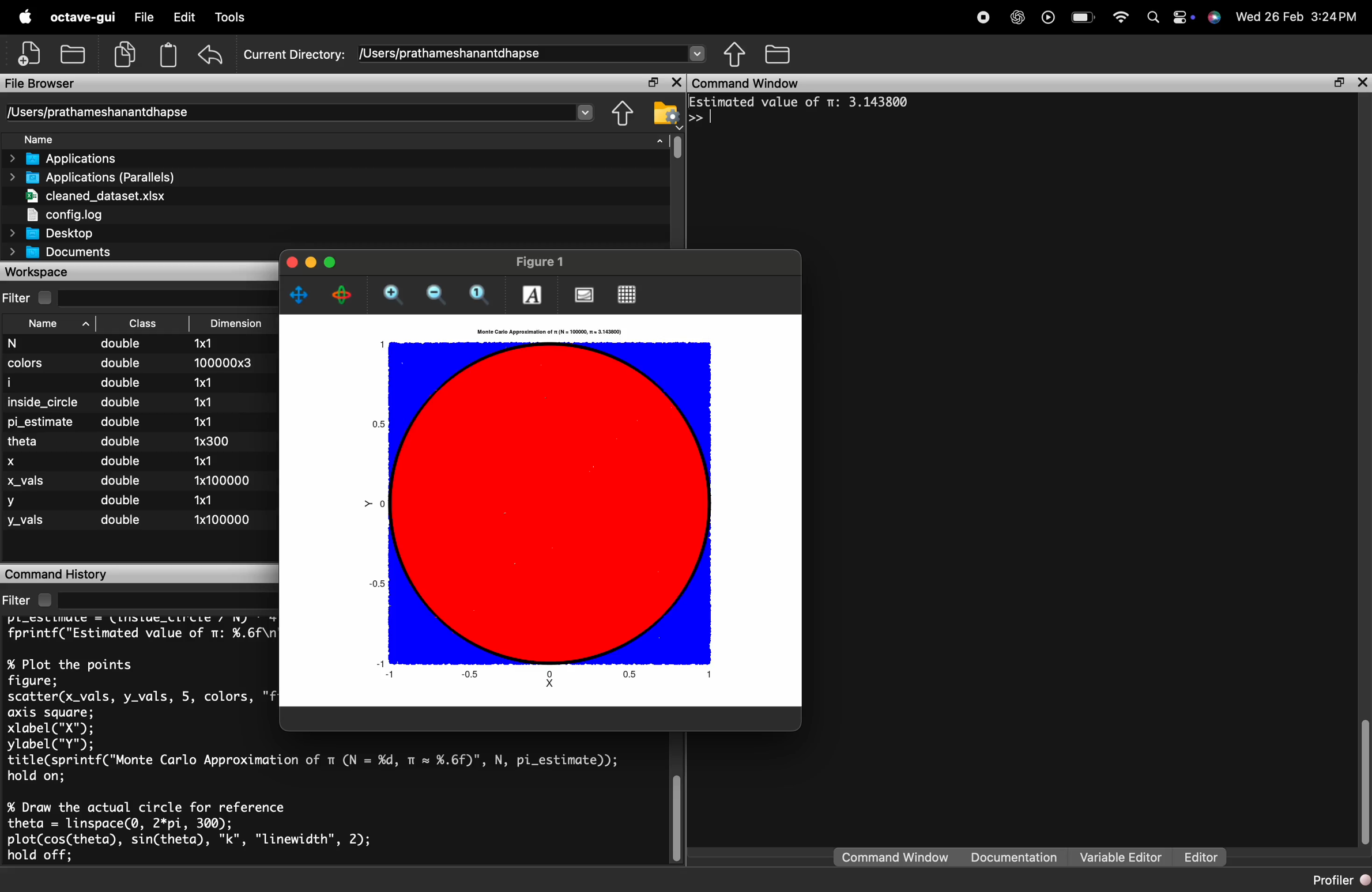 The height and width of the screenshot is (892, 1372). Describe the element at coordinates (300, 294) in the screenshot. I see `Pan` at that location.